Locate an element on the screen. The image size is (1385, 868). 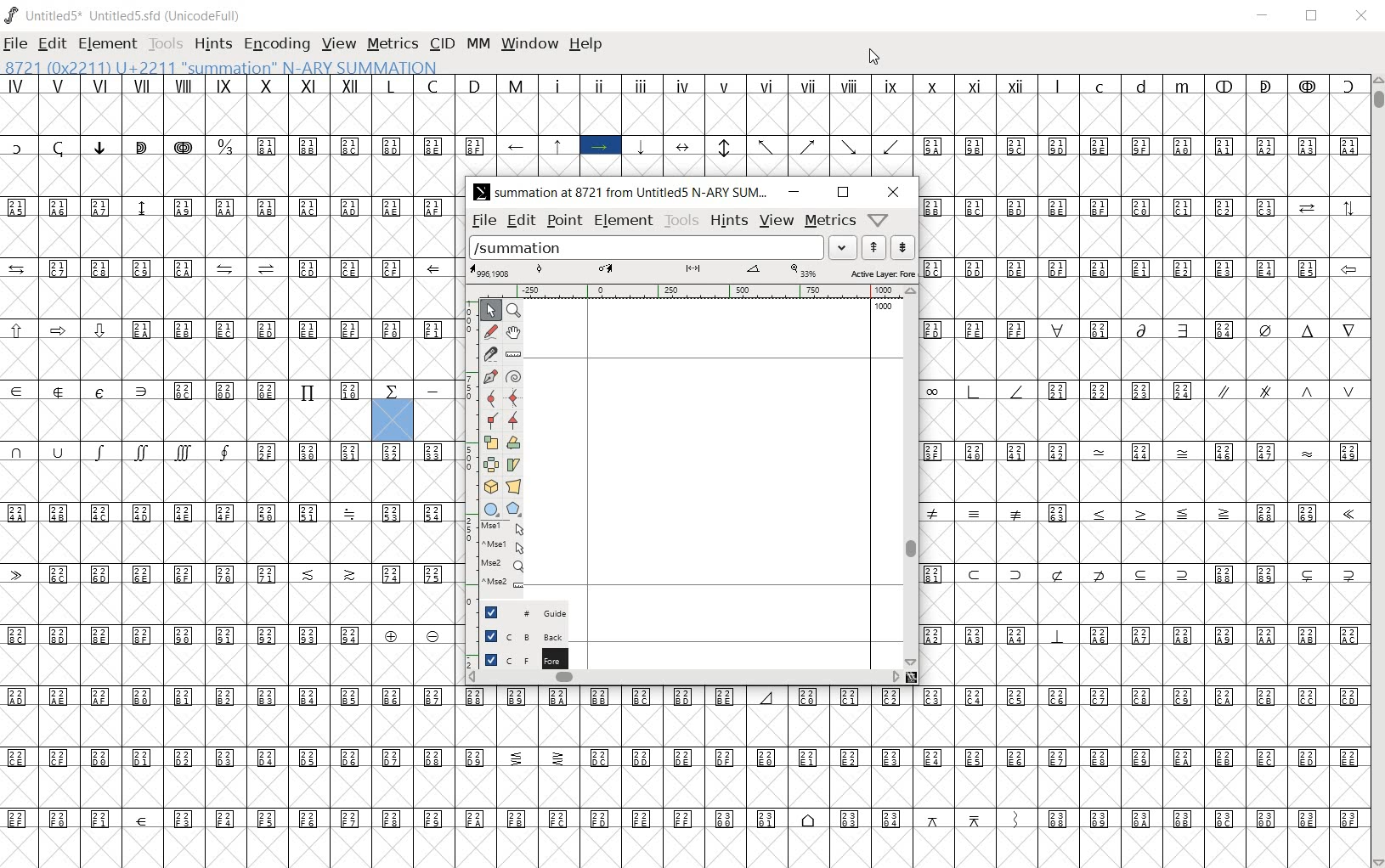
tools is located at coordinates (681, 220).